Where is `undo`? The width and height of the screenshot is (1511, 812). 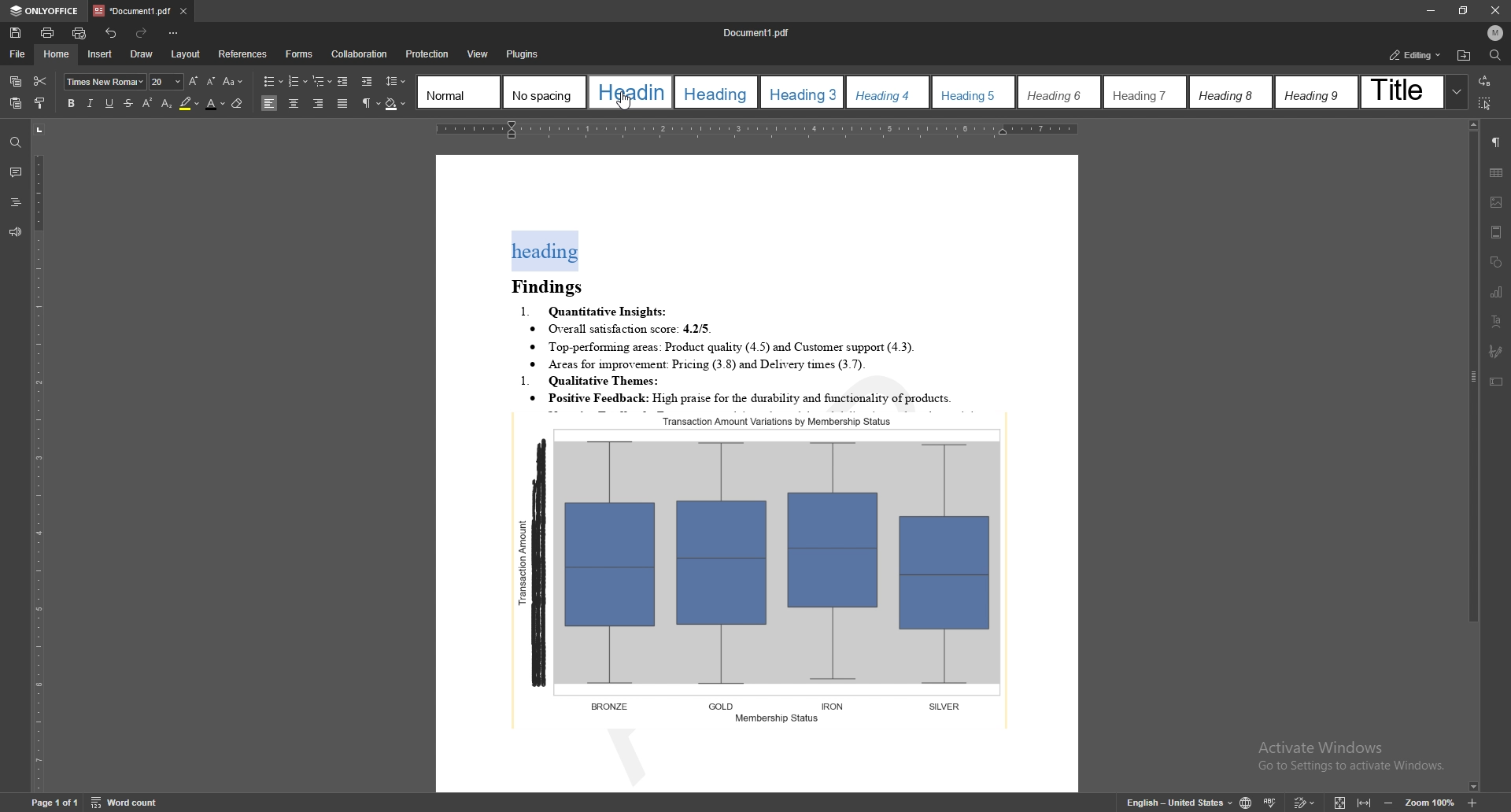
undo is located at coordinates (111, 34).